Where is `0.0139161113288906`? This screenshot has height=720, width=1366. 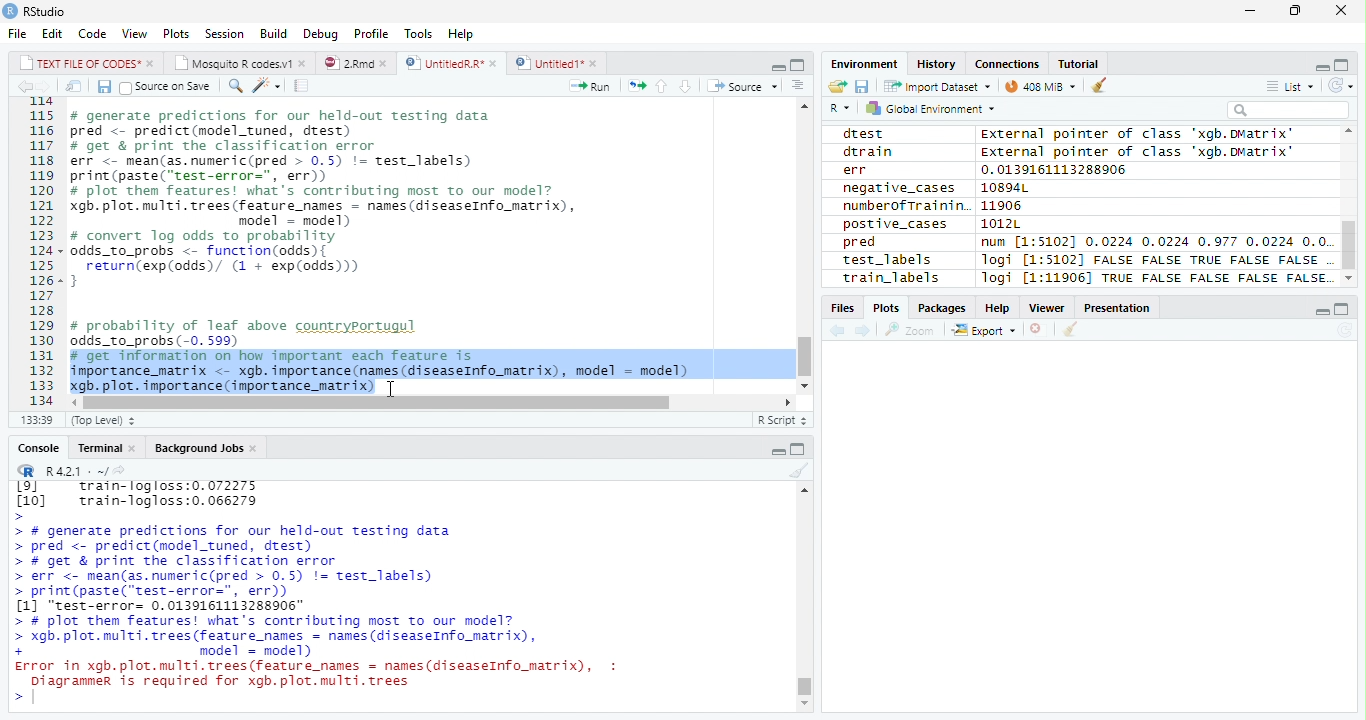
0.0139161113288906 is located at coordinates (1057, 169).